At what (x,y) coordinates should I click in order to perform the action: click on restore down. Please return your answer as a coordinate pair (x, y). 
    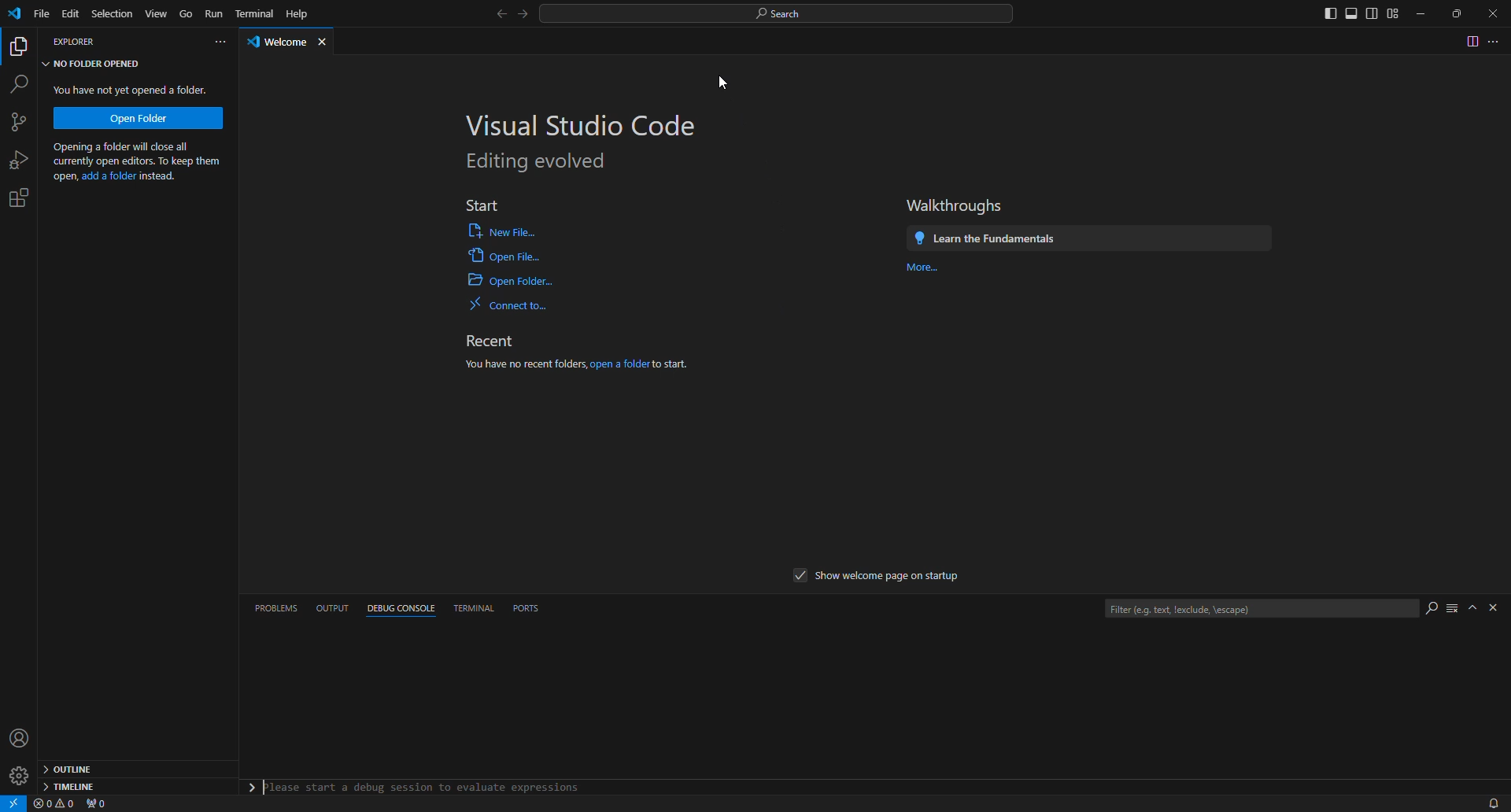
    Looking at the image, I should click on (1460, 12).